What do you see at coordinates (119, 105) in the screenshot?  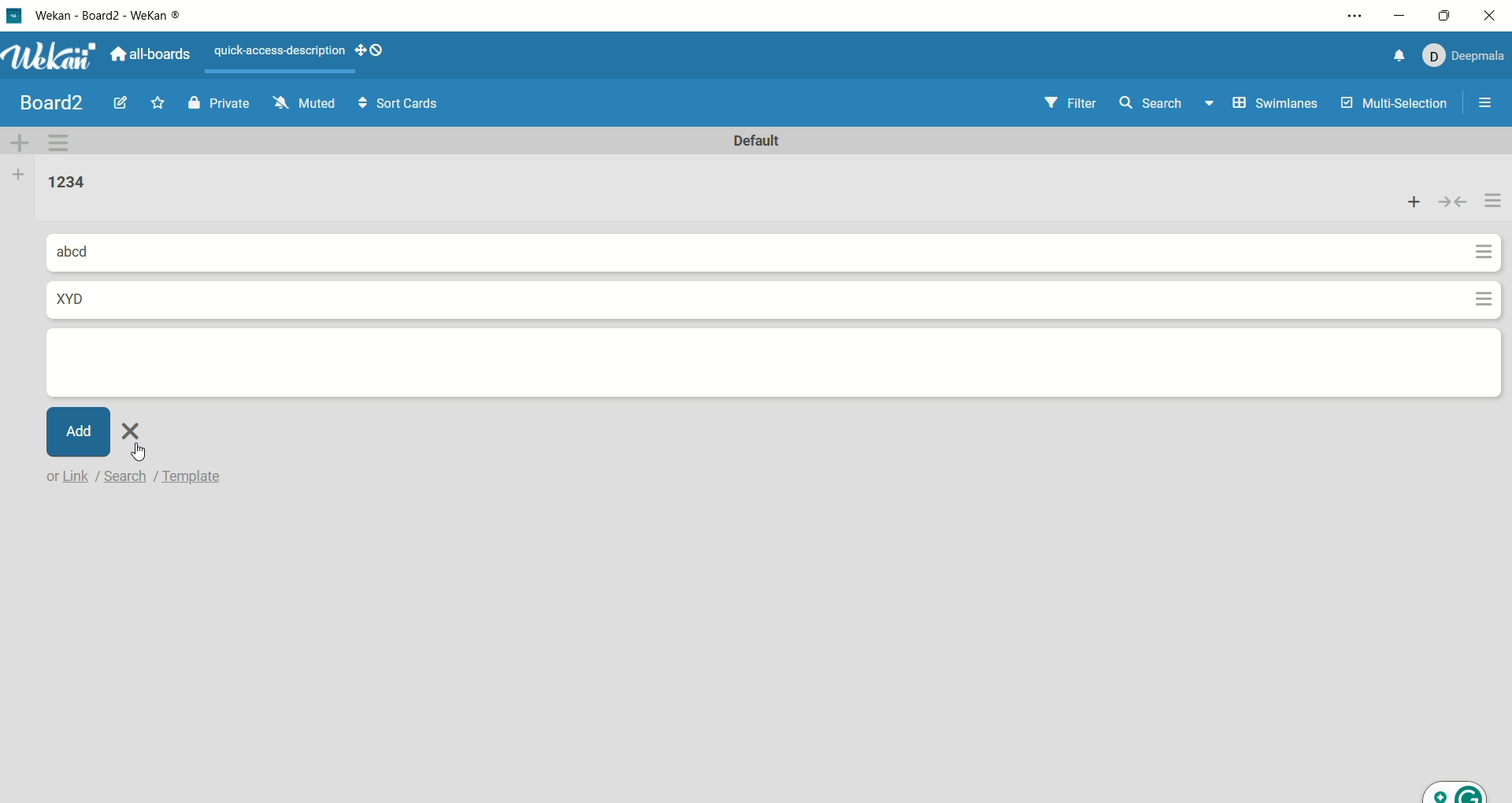 I see `edit` at bounding box center [119, 105].